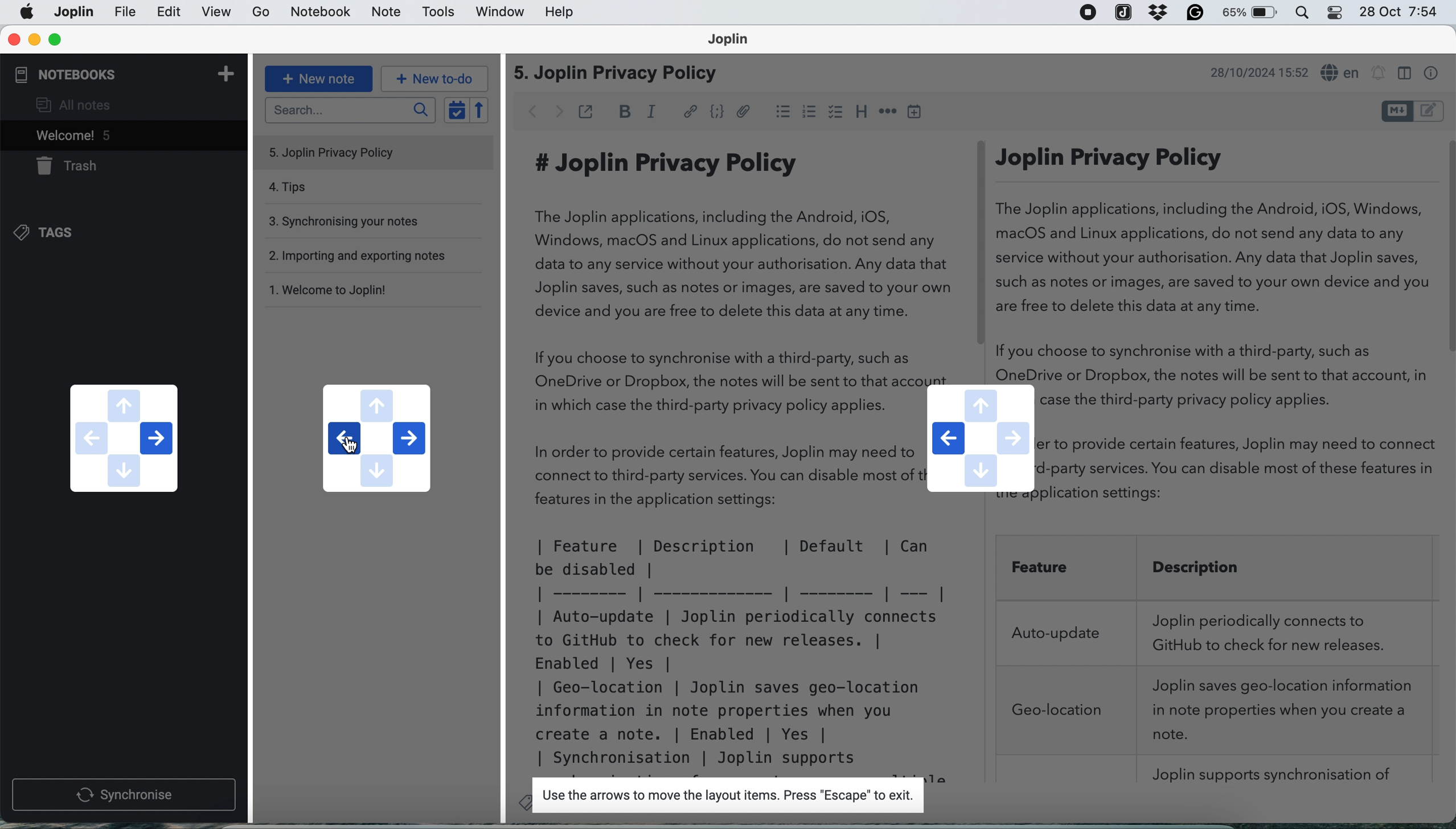 This screenshot has height=829, width=1456. Describe the element at coordinates (1087, 14) in the screenshot. I see `screen recorder` at that location.